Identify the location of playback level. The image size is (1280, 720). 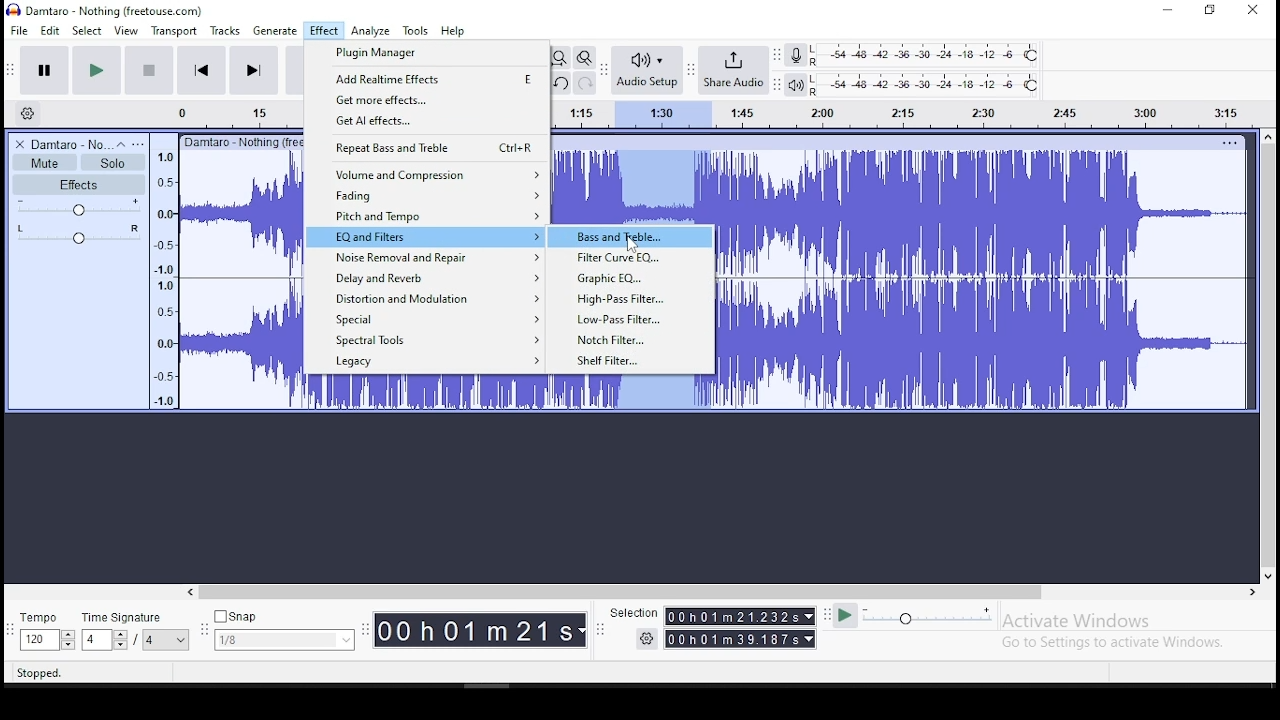
(926, 85).